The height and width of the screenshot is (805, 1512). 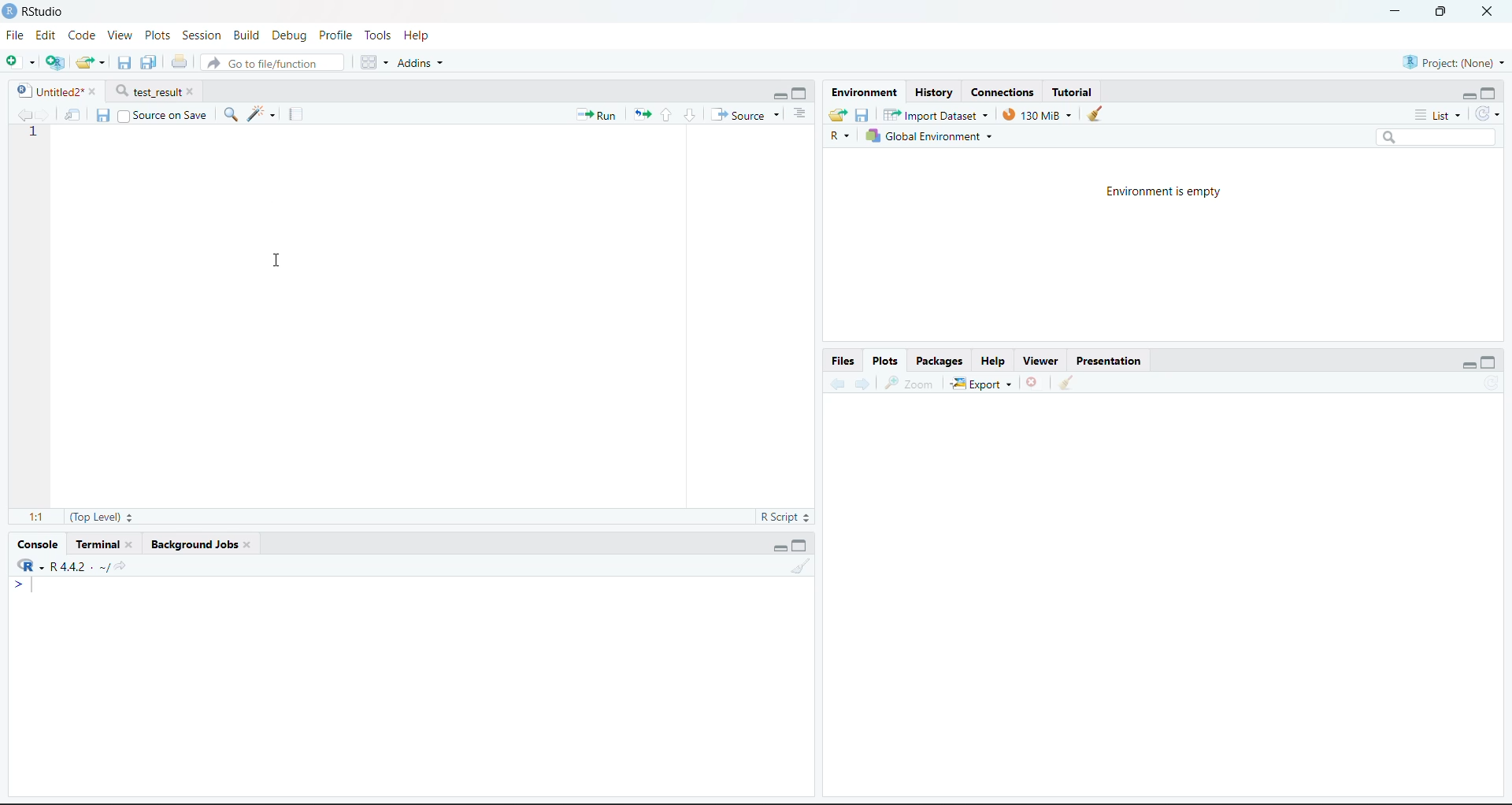 What do you see at coordinates (939, 358) in the screenshot?
I see `Packages` at bounding box center [939, 358].